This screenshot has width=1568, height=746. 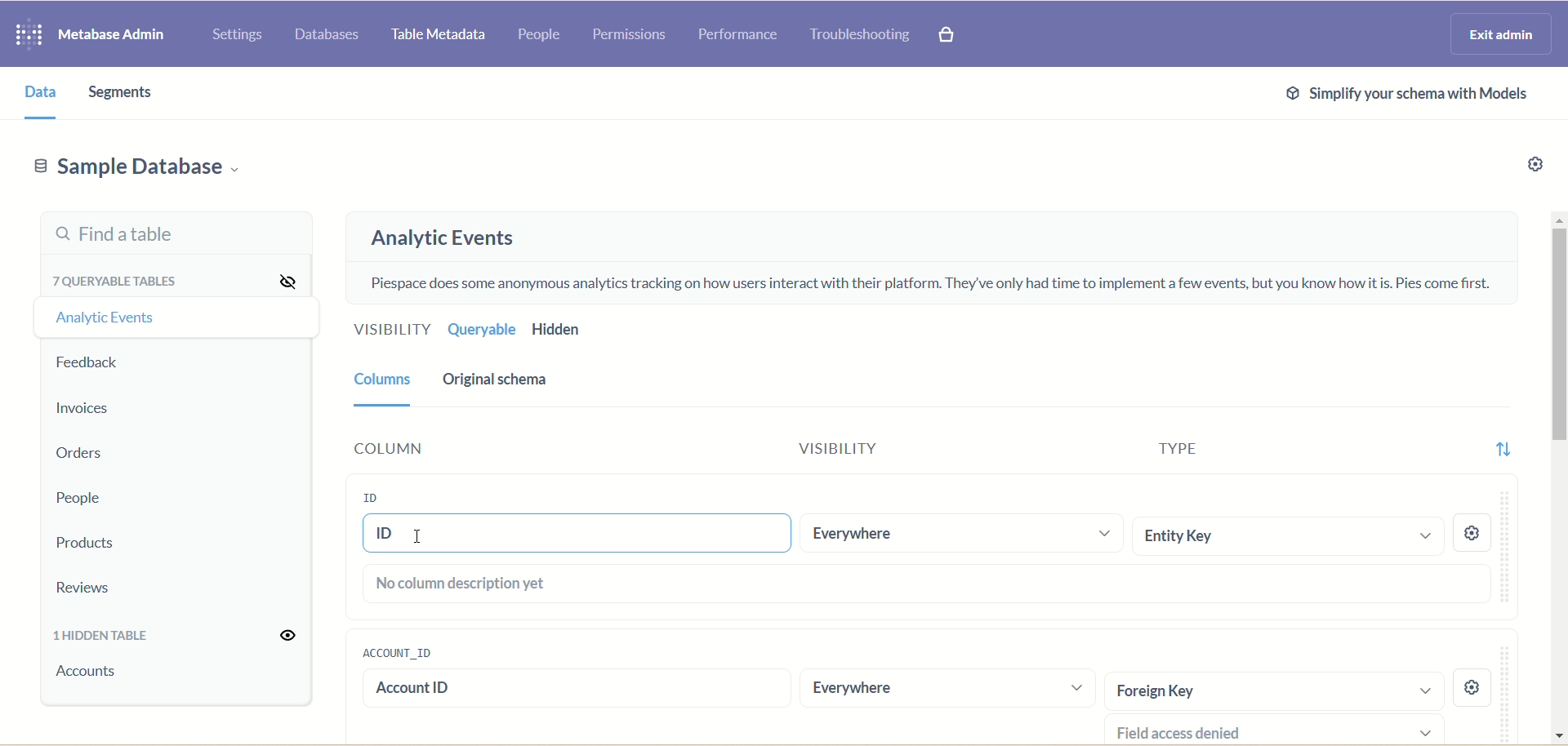 I want to click on Vertical scroll bar, so click(x=1557, y=478).